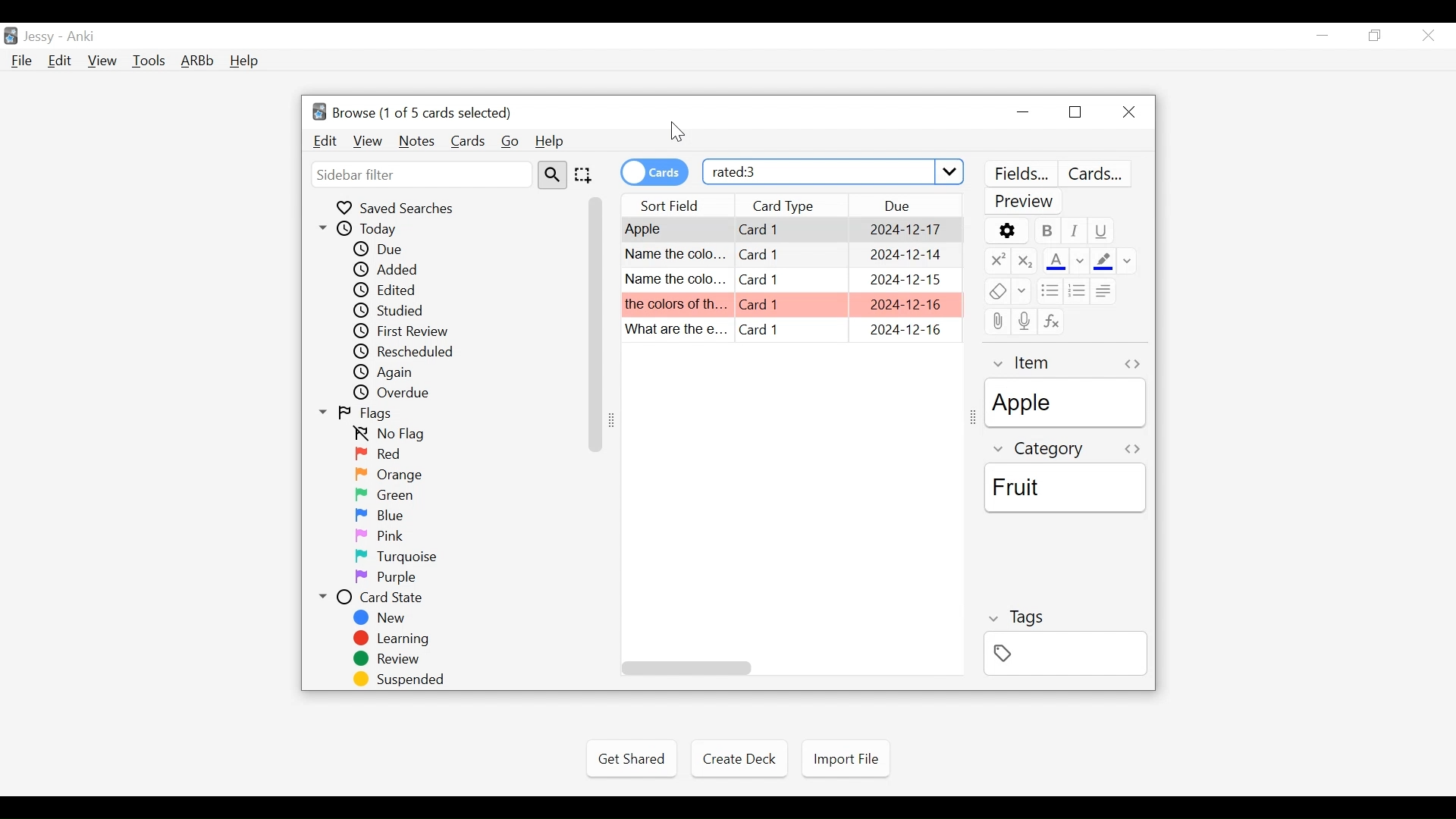 Image resolution: width=1456 pixels, height=819 pixels. What do you see at coordinates (1079, 290) in the screenshot?
I see `Ordered List` at bounding box center [1079, 290].